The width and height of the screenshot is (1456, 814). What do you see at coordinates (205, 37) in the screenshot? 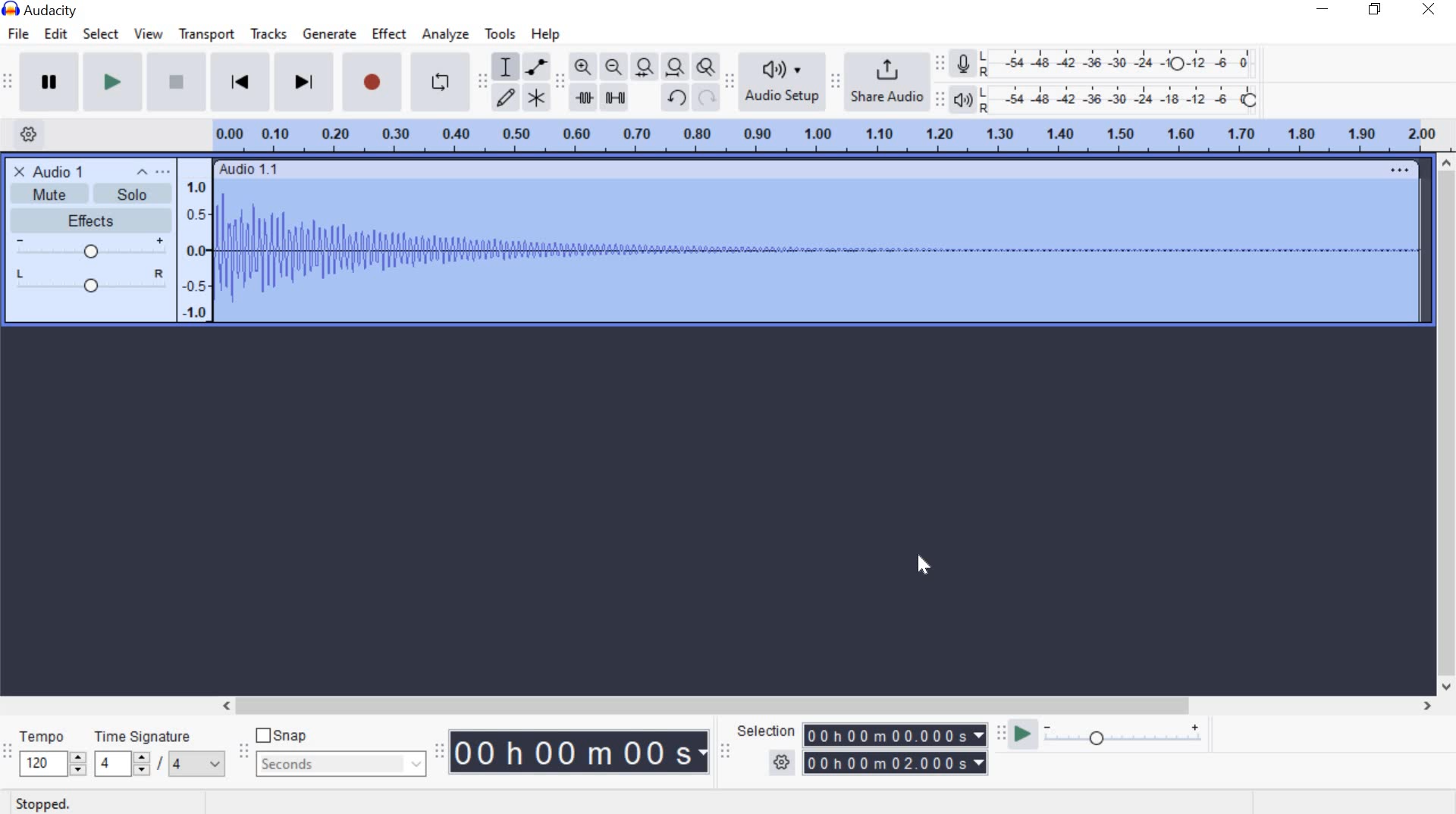
I see `transport` at bounding box center [205, 37].